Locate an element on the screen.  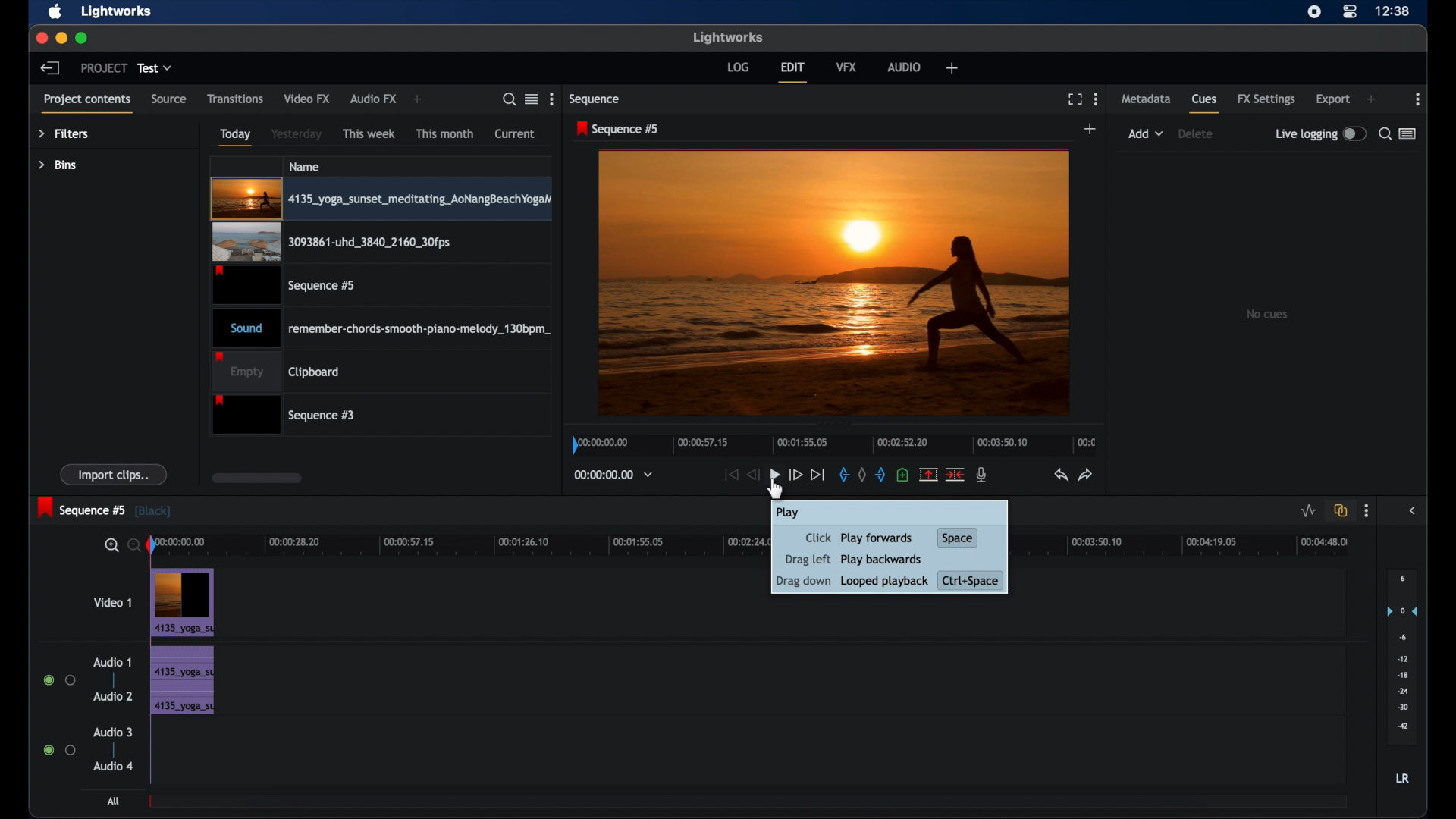
cursor is located at coordinates (775, 486).